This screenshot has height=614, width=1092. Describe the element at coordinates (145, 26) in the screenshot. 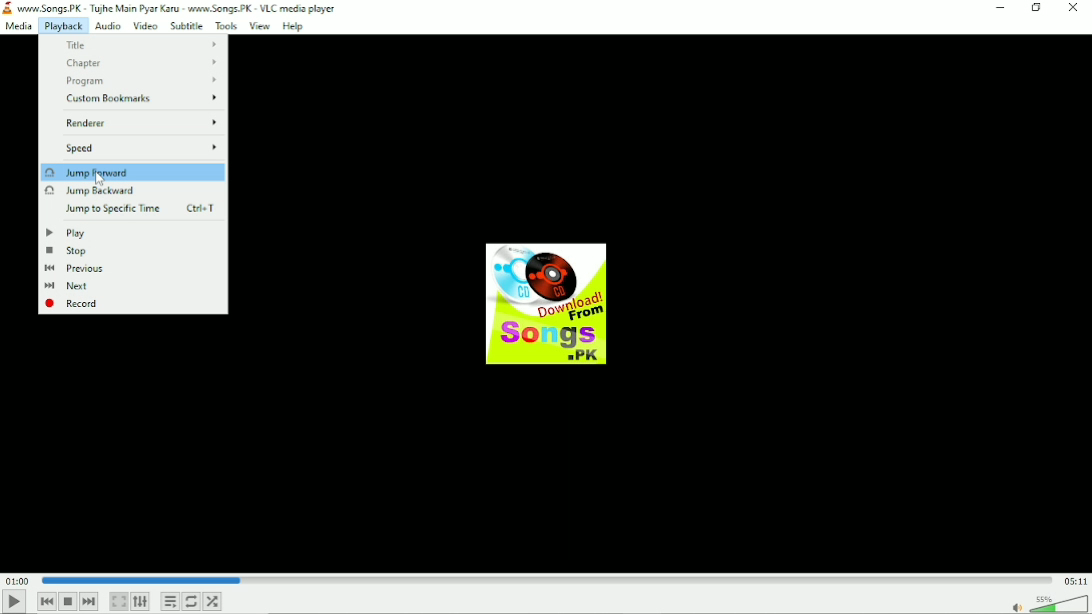

I see `Video` at that location.